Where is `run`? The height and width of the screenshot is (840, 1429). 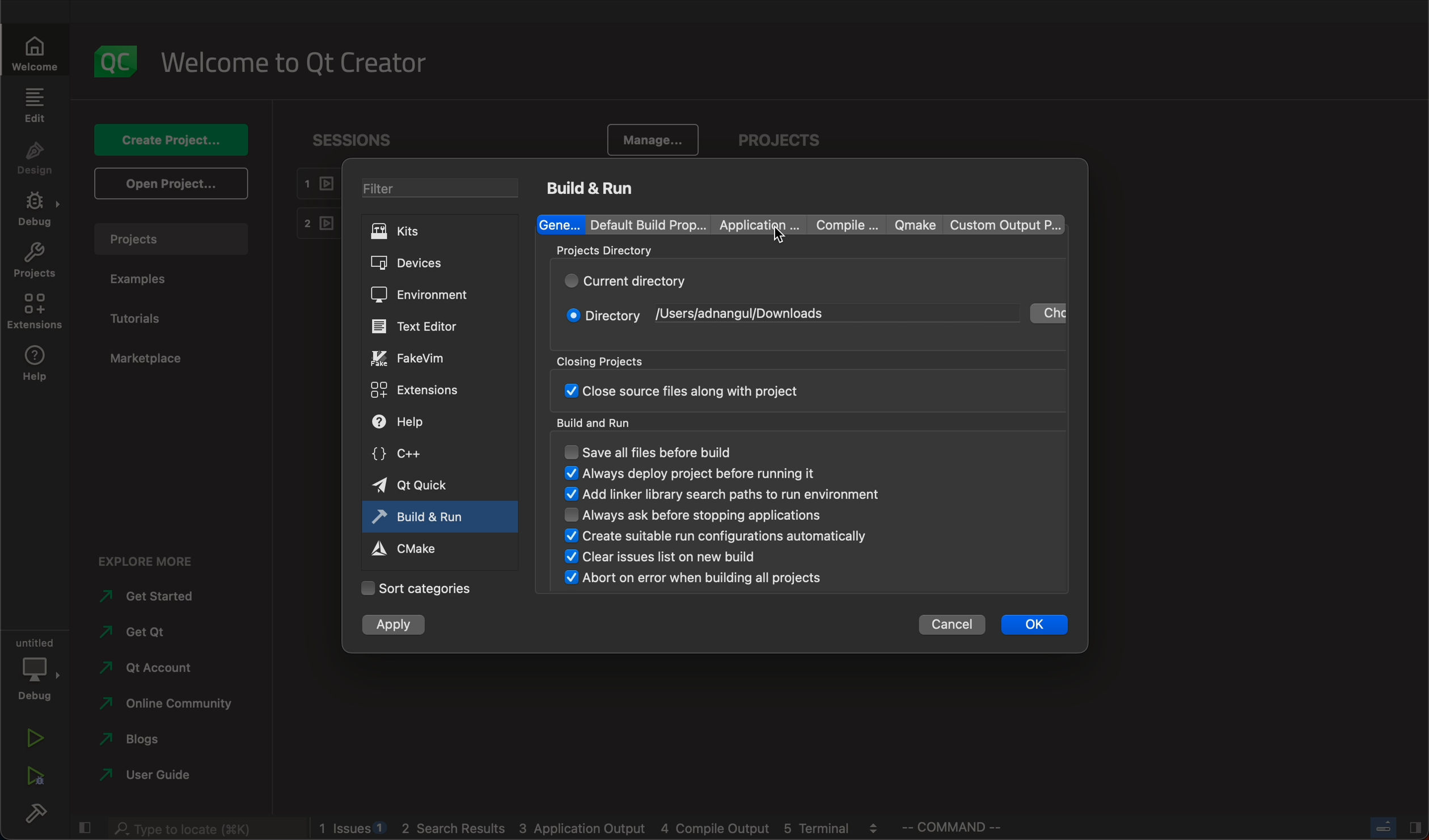
run is located at coordinates (32, 738).